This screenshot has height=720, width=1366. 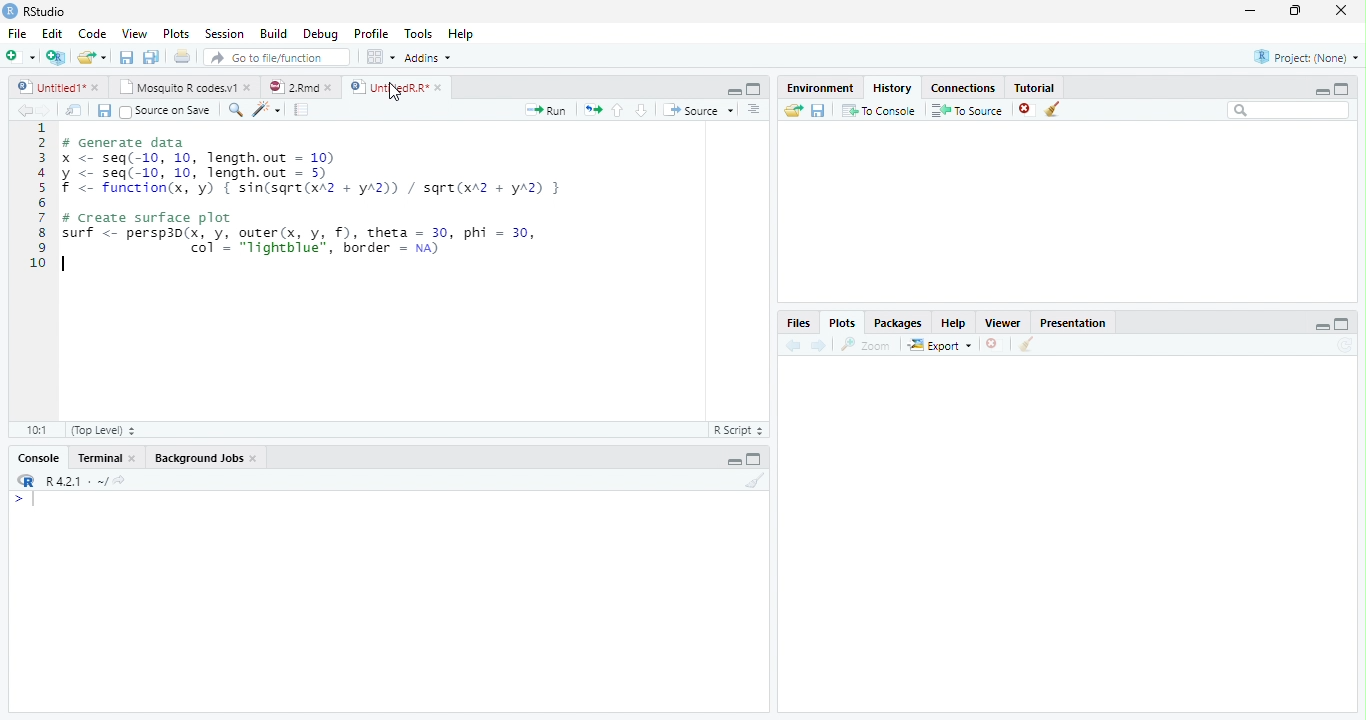 I want to click on Plots, so click(x=175, y=33).